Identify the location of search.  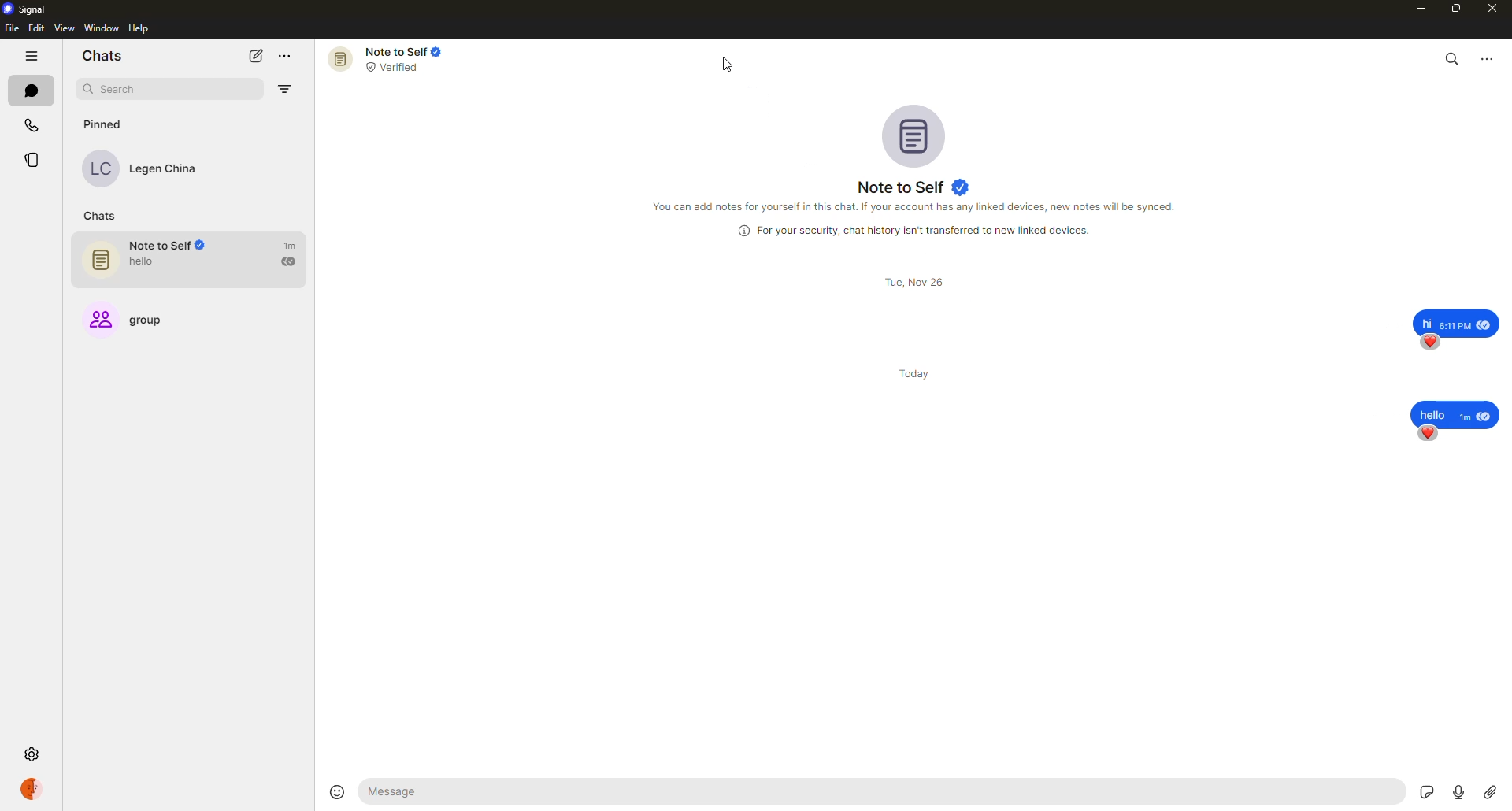
(1453, 56).